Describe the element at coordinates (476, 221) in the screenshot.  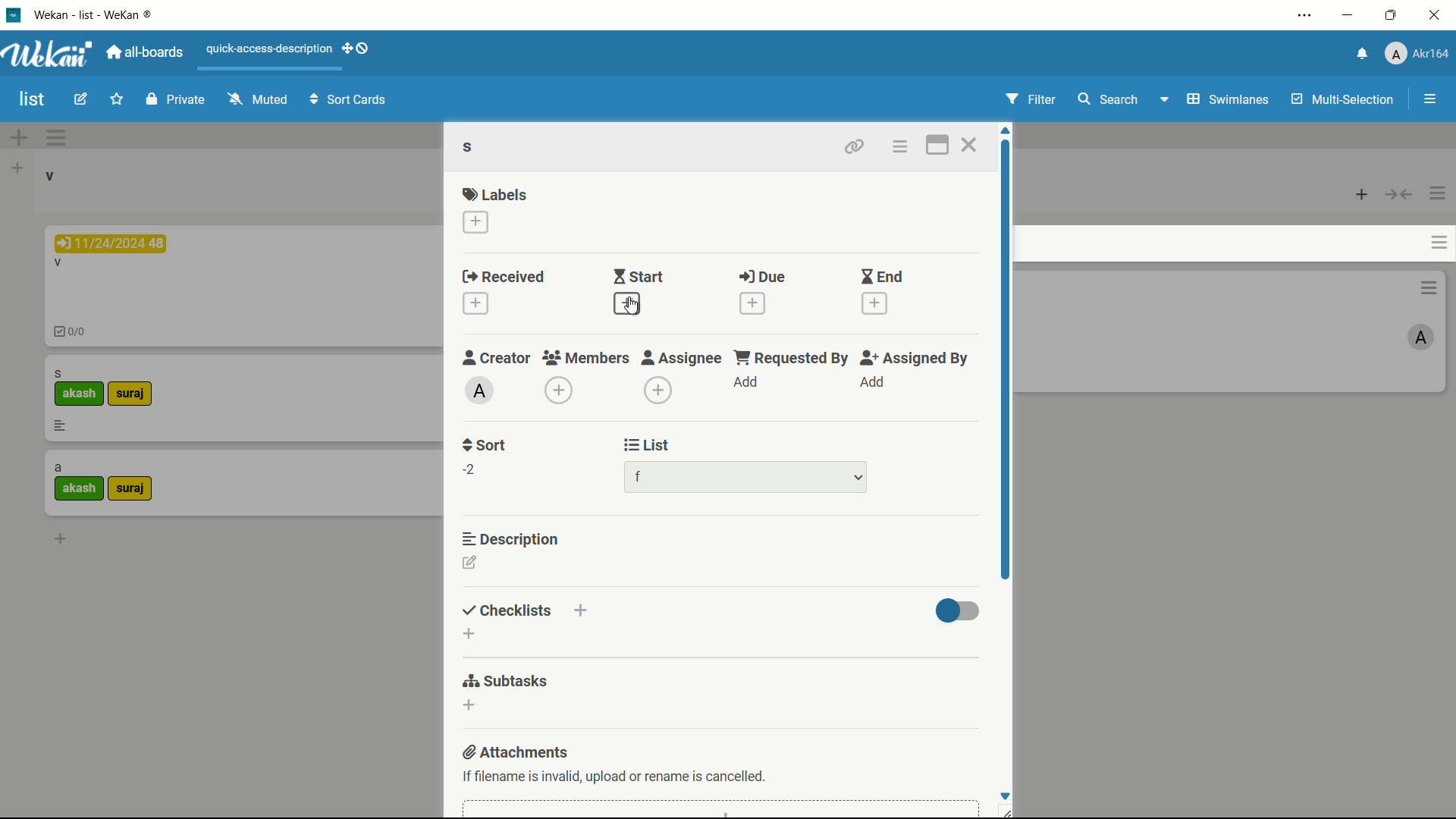
I see `add label` at that location.